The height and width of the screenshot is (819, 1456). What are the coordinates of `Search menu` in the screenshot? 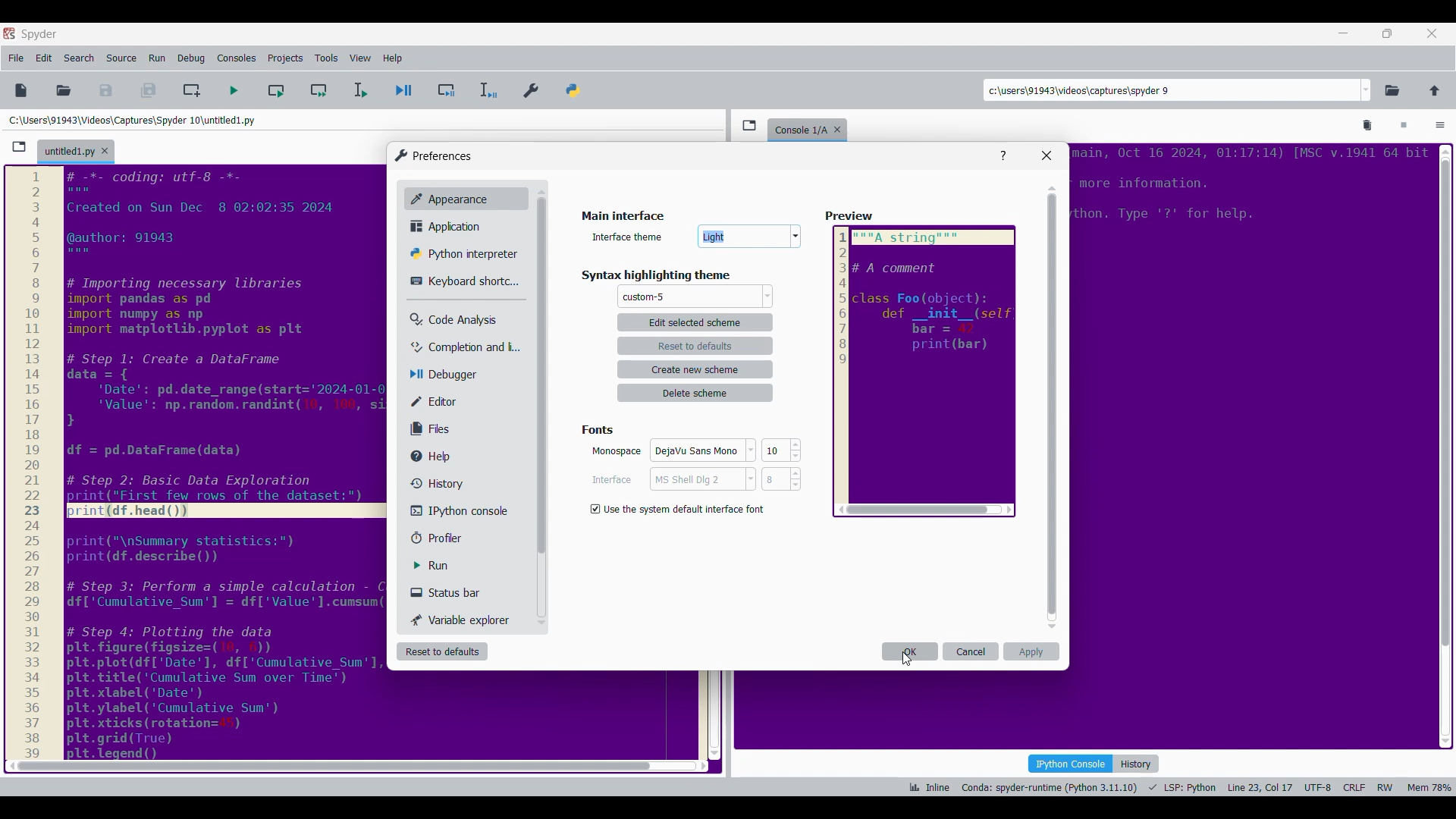 It's located at (80, 58).